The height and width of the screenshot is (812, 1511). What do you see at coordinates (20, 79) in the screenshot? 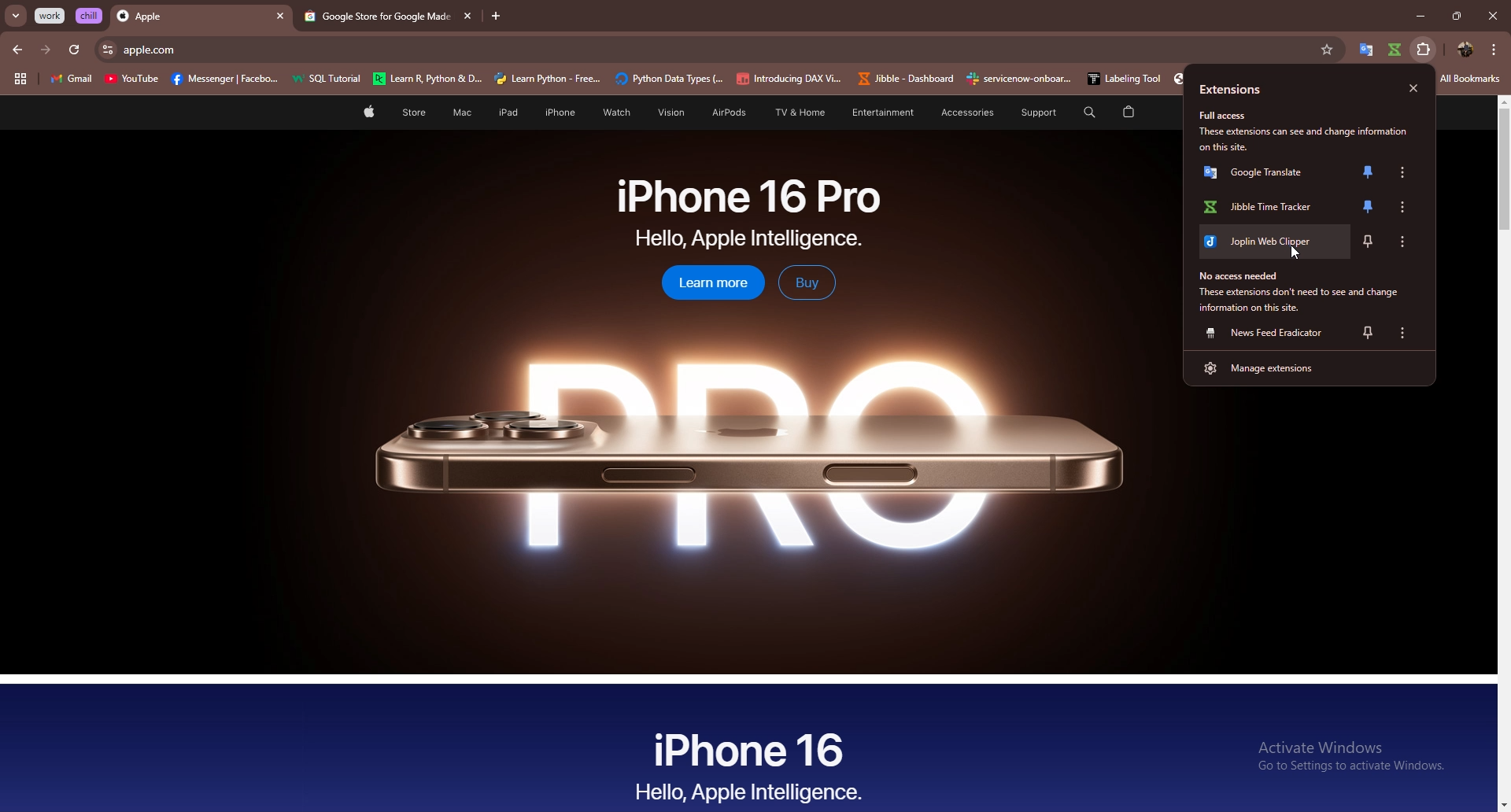
I see `tab groups` at bounding box center [20, 79].